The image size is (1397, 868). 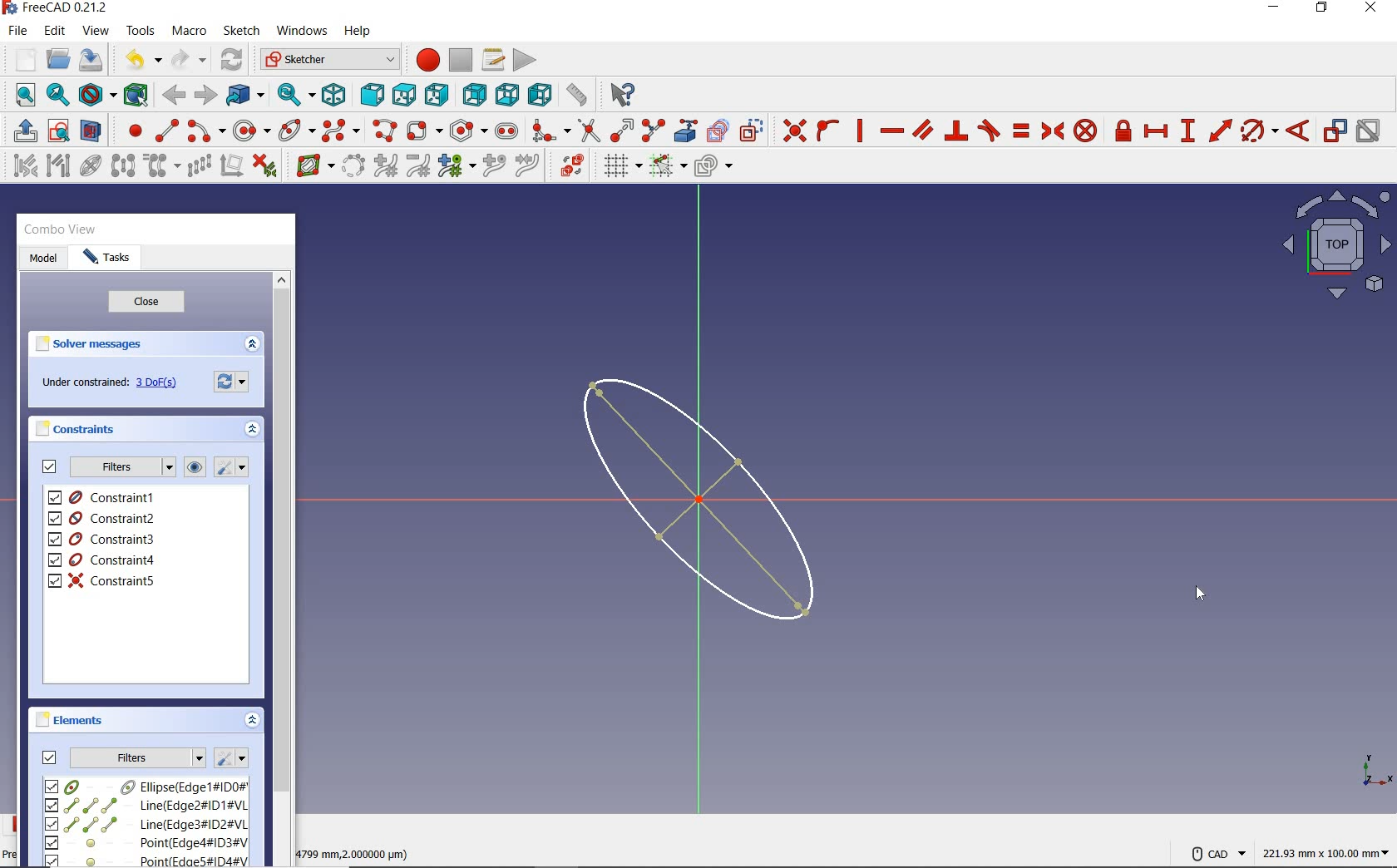 What do you see at coordinates (712, 167) in the screenshot?
I see `configure rendering order` at bounding box center [712, 167].